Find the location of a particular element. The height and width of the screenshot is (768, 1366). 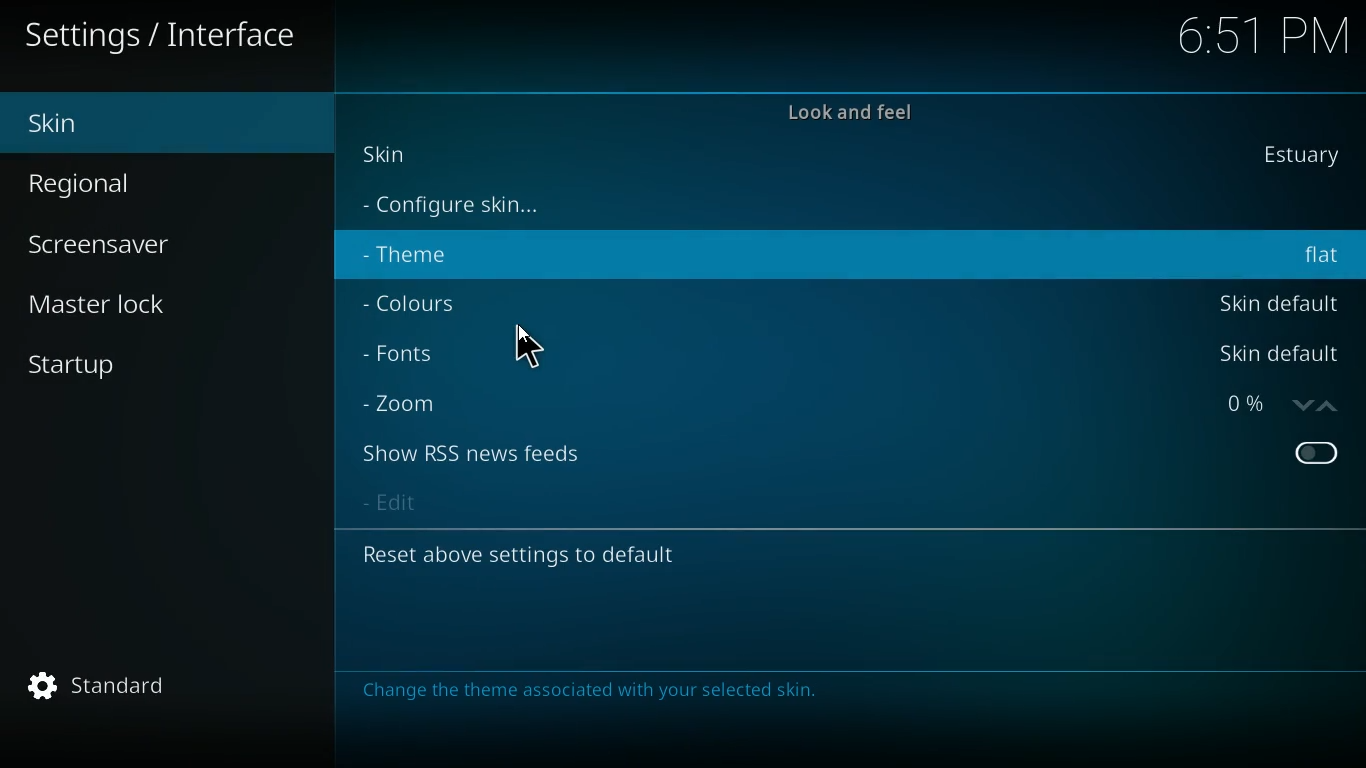

startup is located at coordinates (137, 358).